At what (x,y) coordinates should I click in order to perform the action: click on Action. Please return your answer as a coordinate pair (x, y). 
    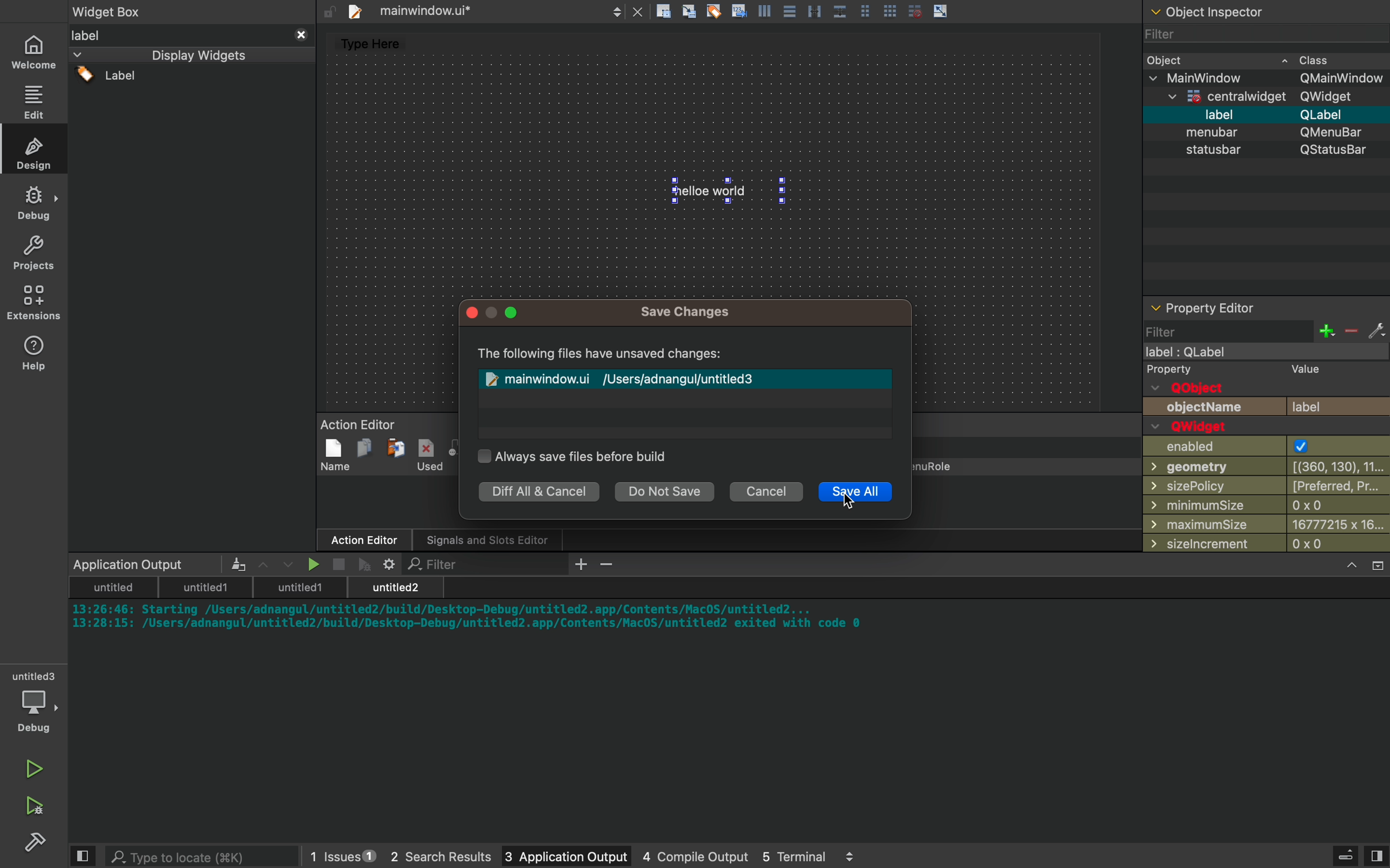
    Looking at the image, I should click on (388, 444).